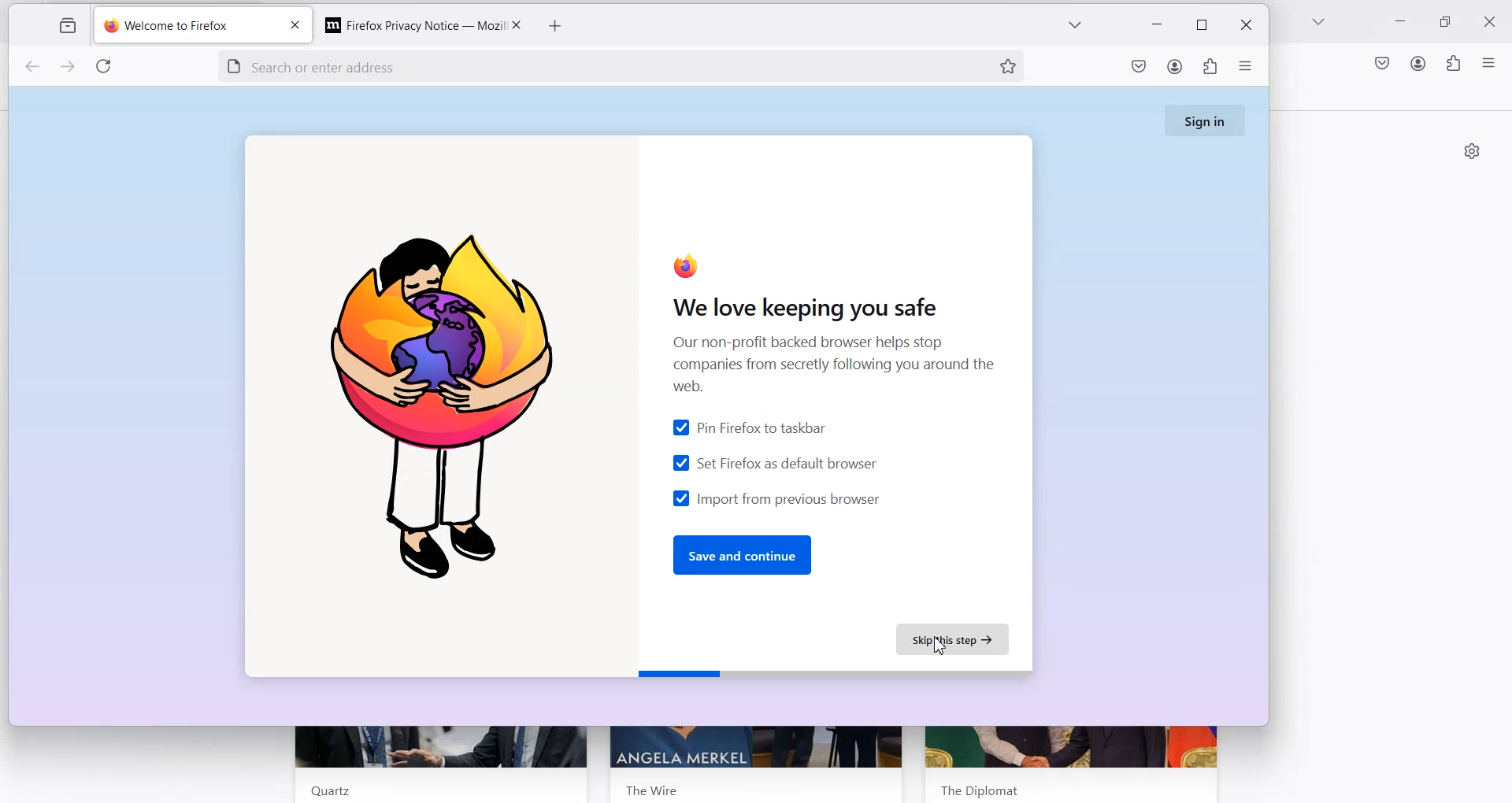 This screenshot has height=803, width=1512. Describe the element at coordinates (654, 787) in the screenshot. I see `The Wire` at that location.